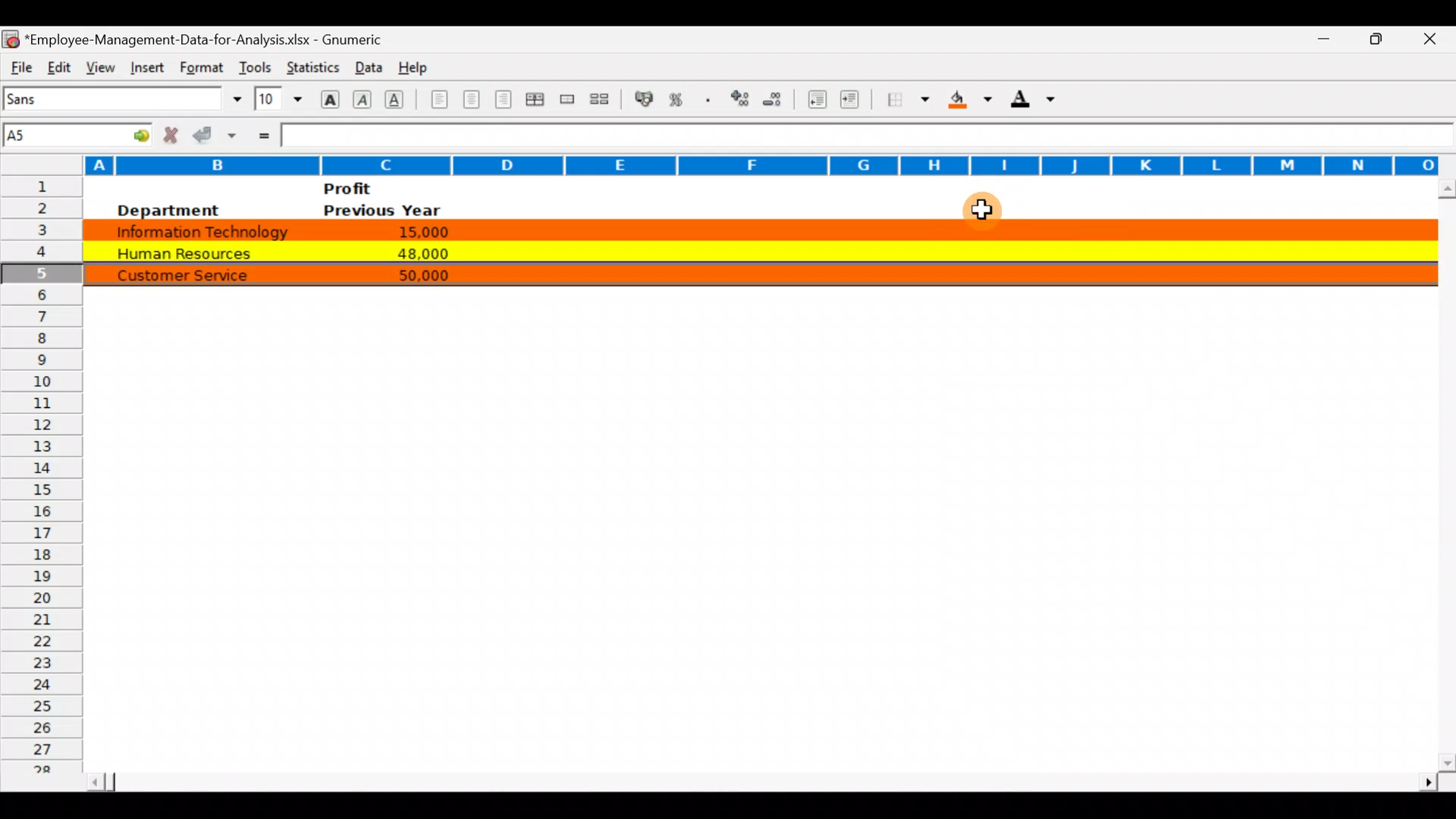 The width and height of the screenshot is (1456, 819). I want to click on Selected row 4 of data highlighted with color, so click(755, 249).